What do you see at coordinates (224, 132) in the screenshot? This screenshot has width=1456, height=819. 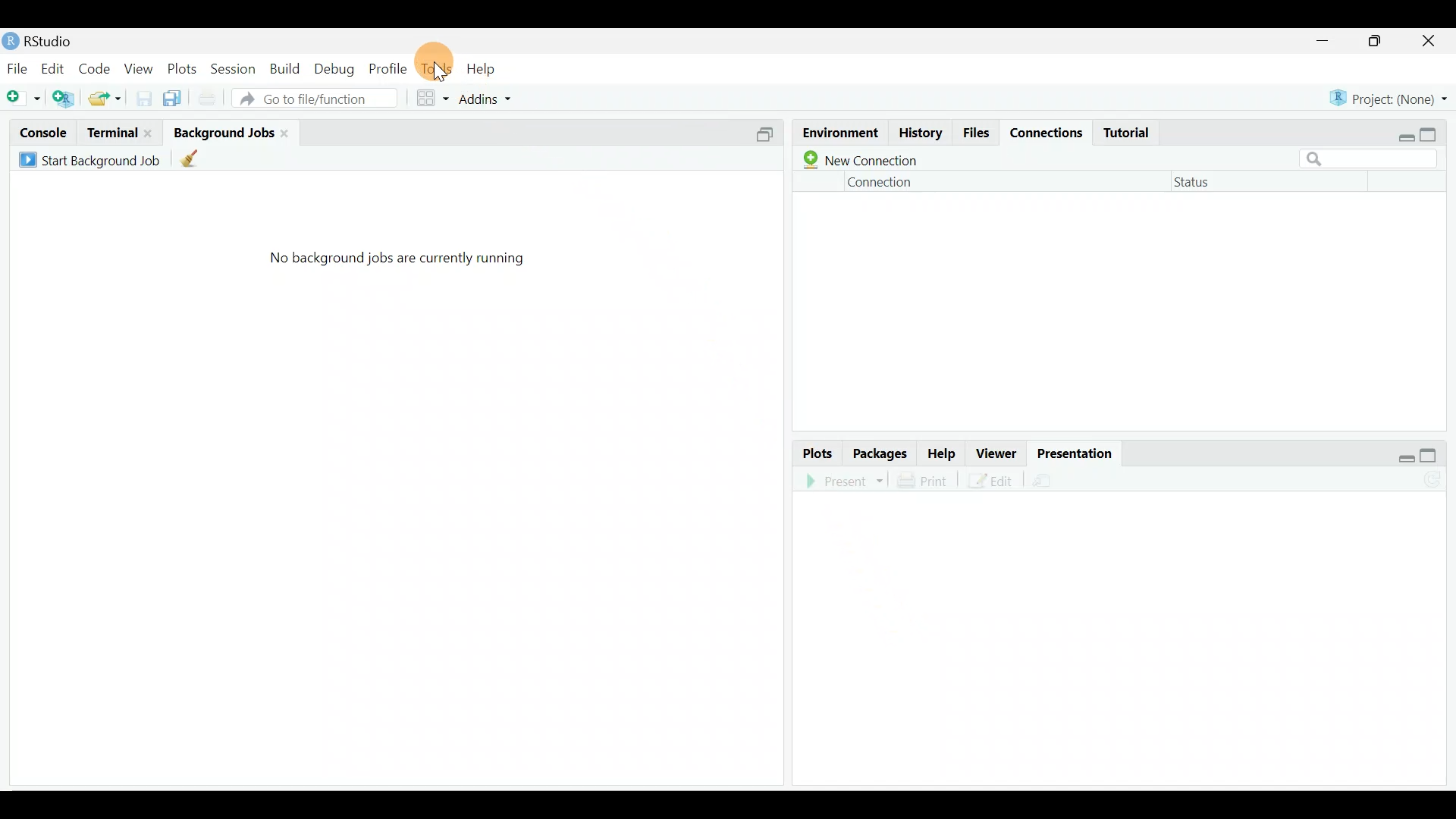 I see `Background jobs` at bounding box center [224, 132].